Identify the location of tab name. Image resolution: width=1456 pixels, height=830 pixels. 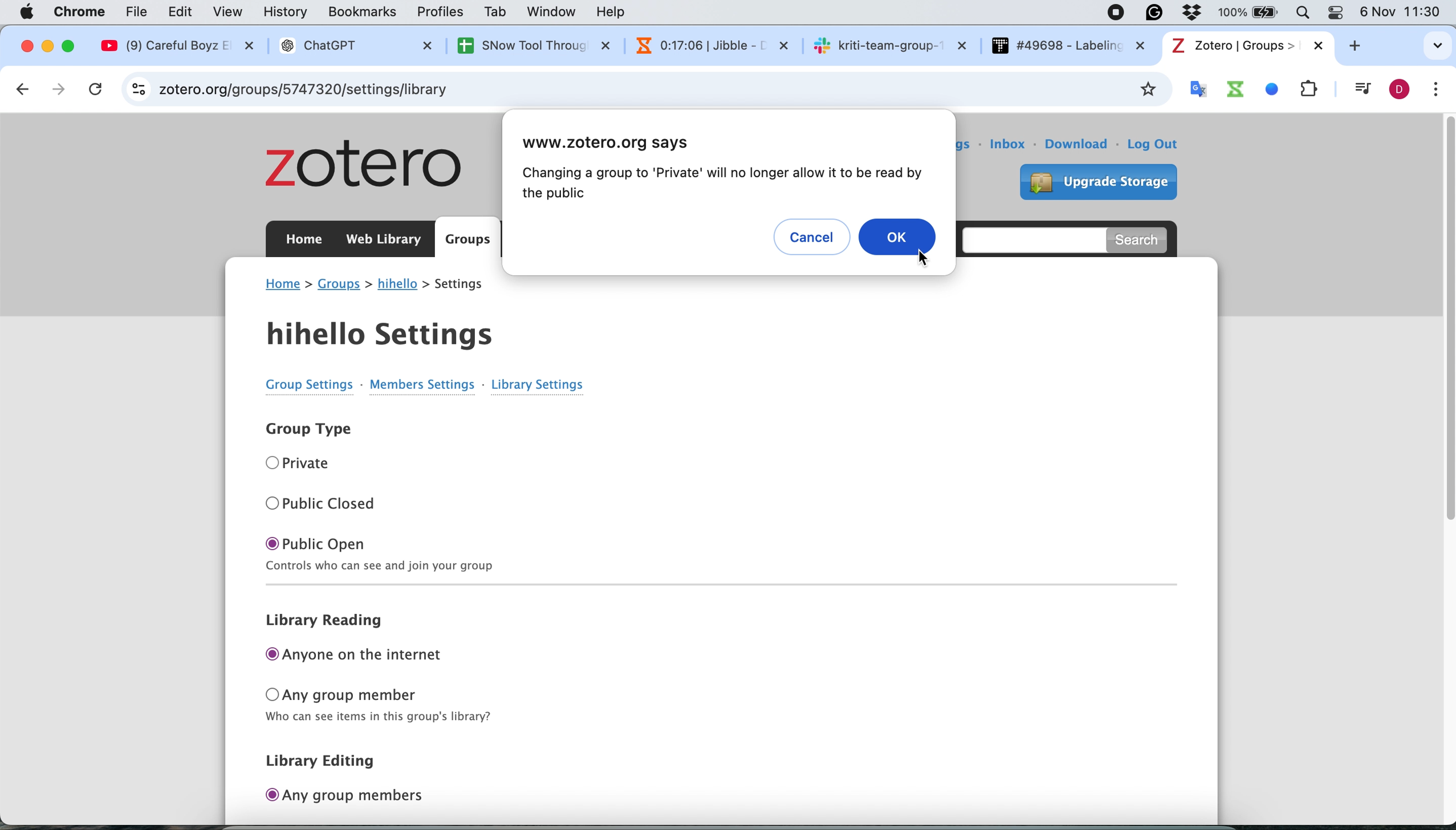
(1246, 46).